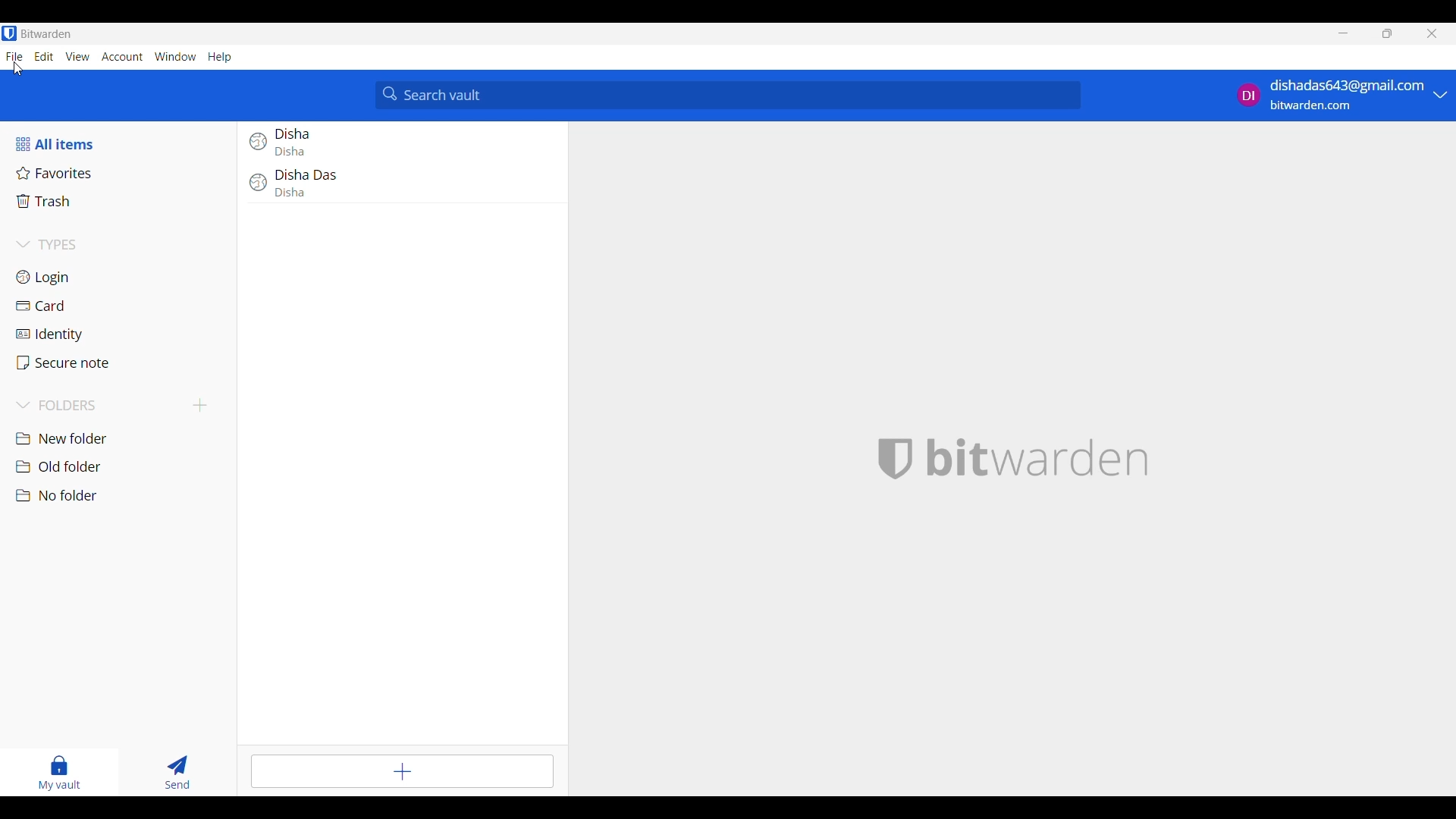 The image size is (1456, 819). I want to click on Current account details, so click(1332, 96).